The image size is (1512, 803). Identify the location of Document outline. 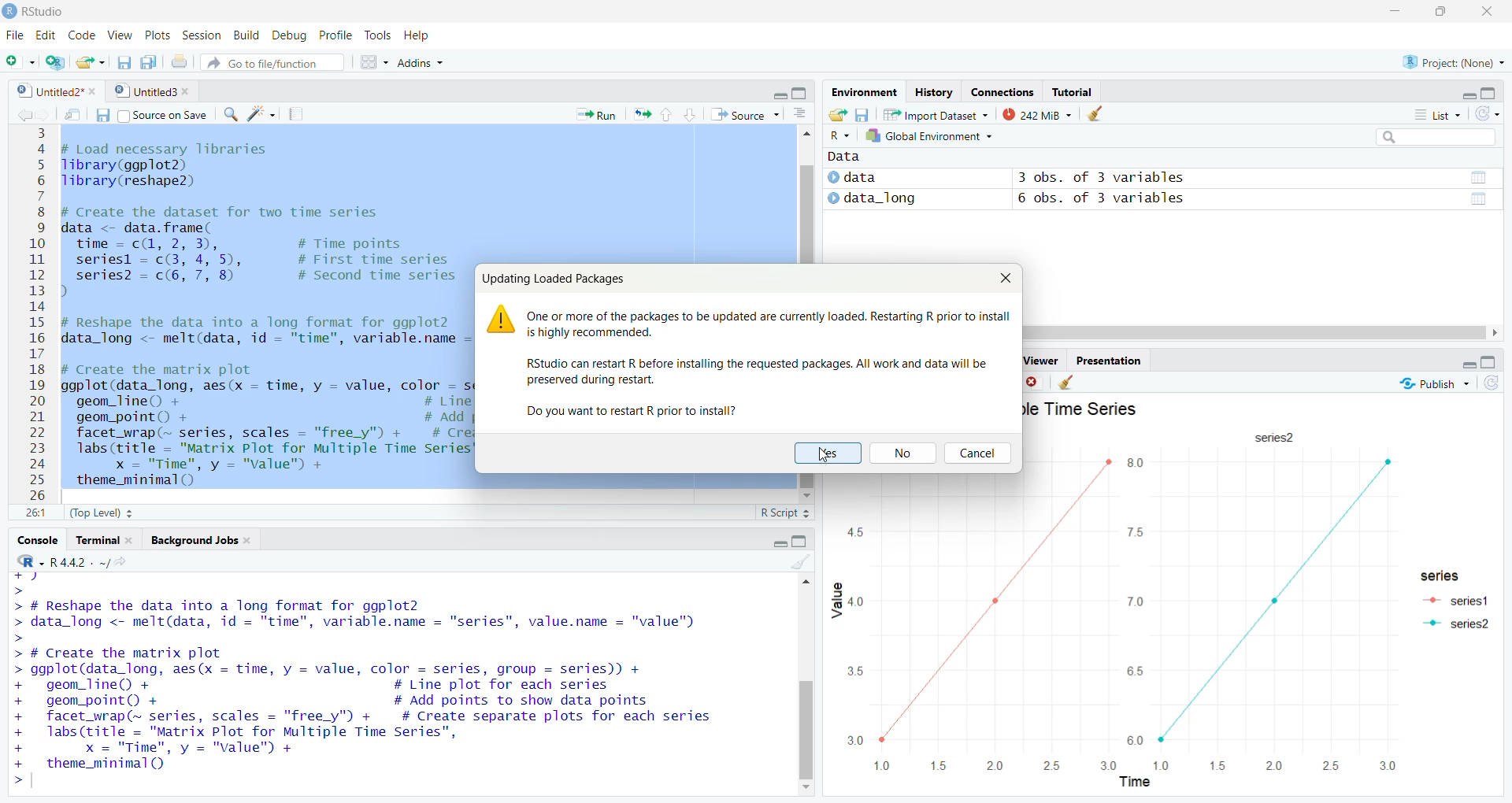
(800, 116).